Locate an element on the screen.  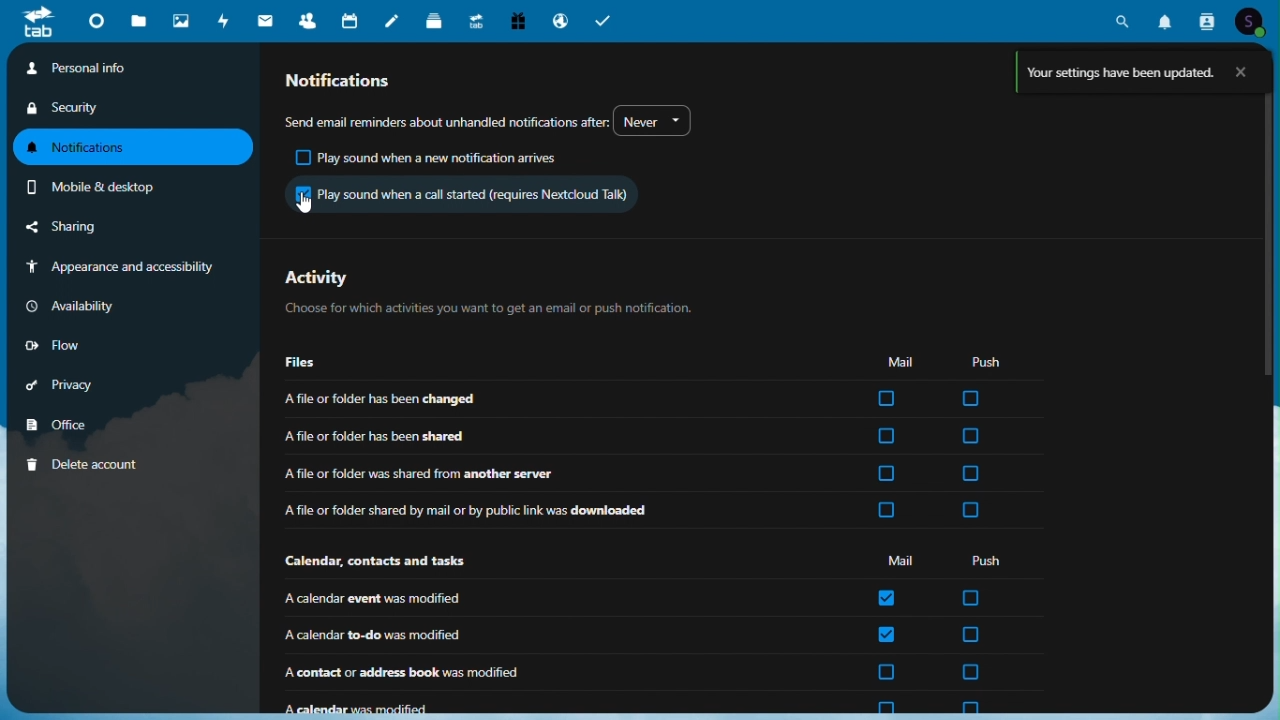
Upgrade is located at coordinates (476, 18).